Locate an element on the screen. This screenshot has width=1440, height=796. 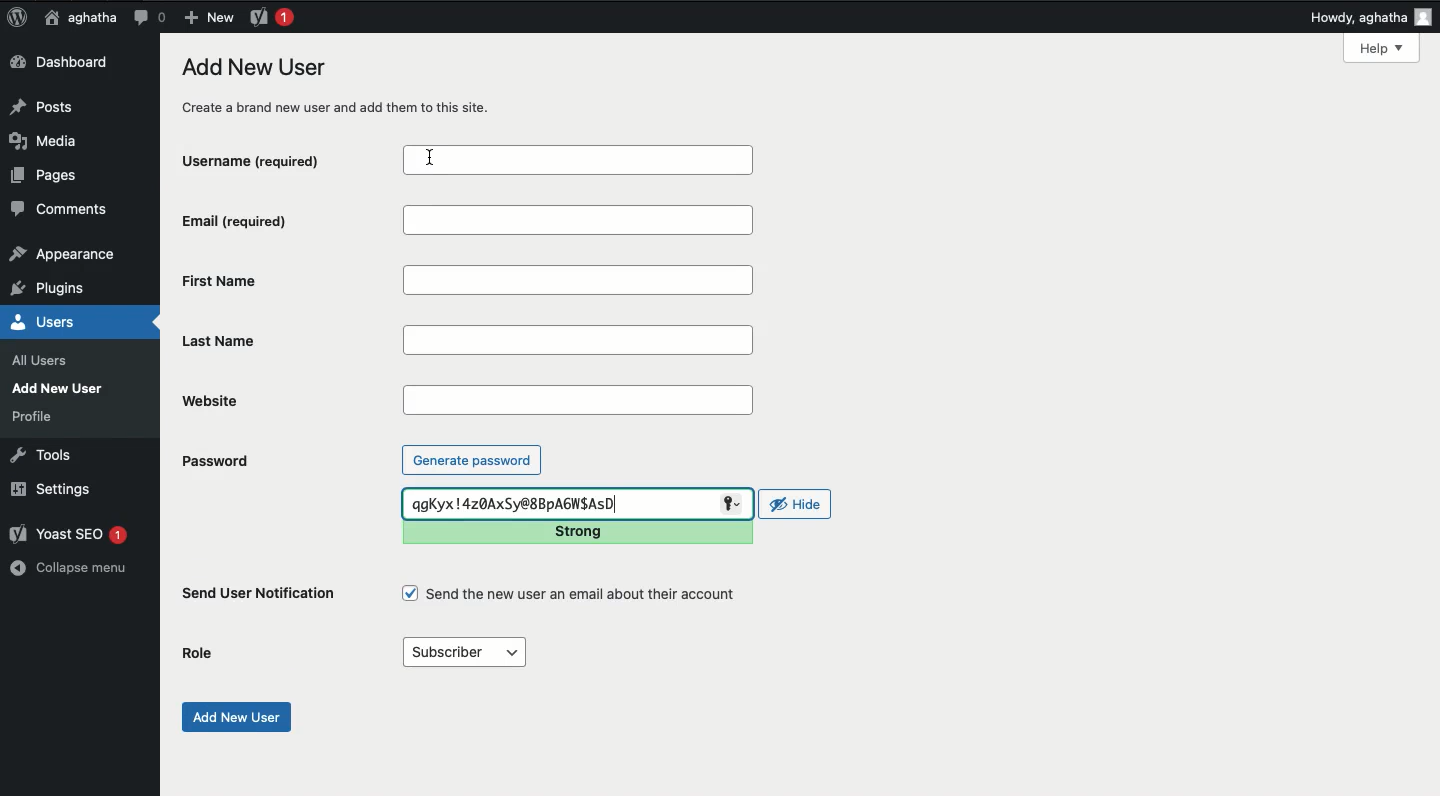
Strong is located at coordinates (575, 534).